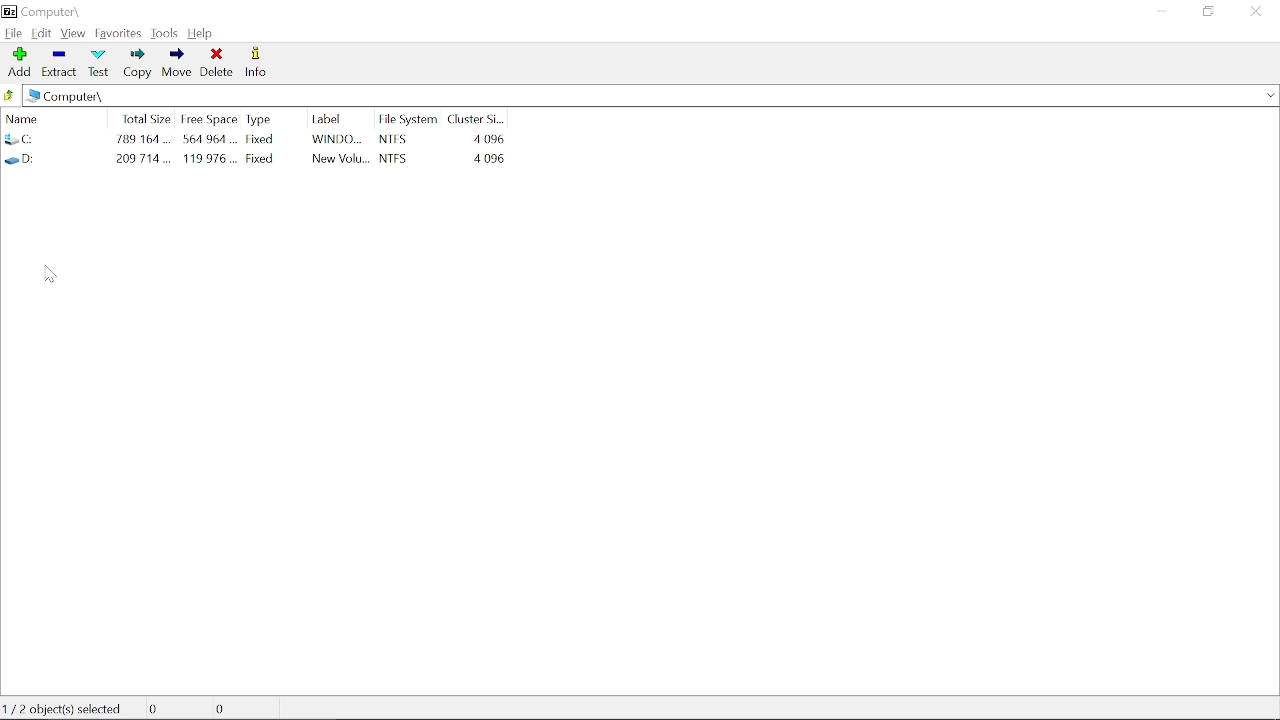  I want to click on info, so click(257, 63).